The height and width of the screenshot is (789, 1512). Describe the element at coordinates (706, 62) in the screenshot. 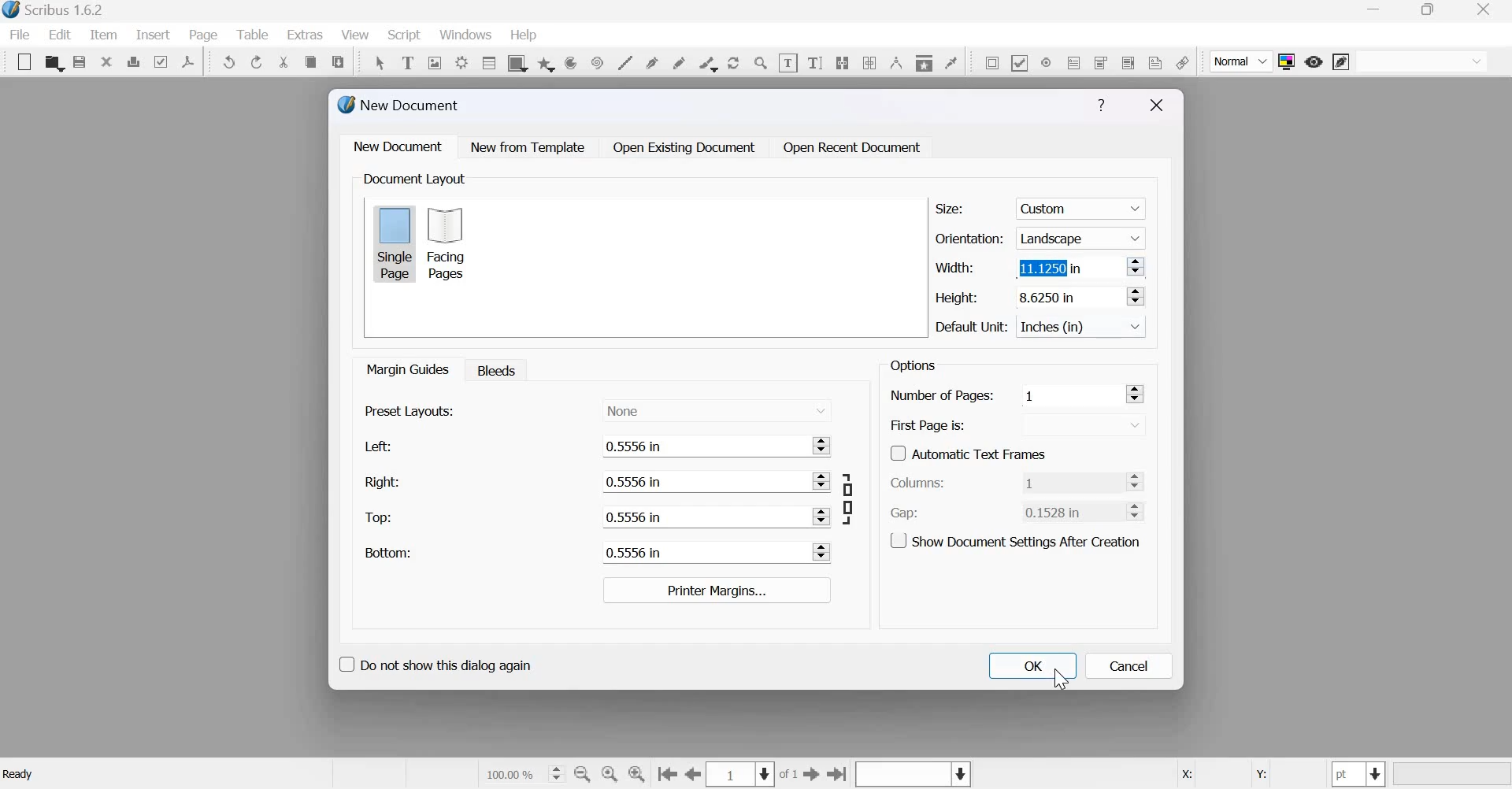

I see `calligraphic line` at that location.